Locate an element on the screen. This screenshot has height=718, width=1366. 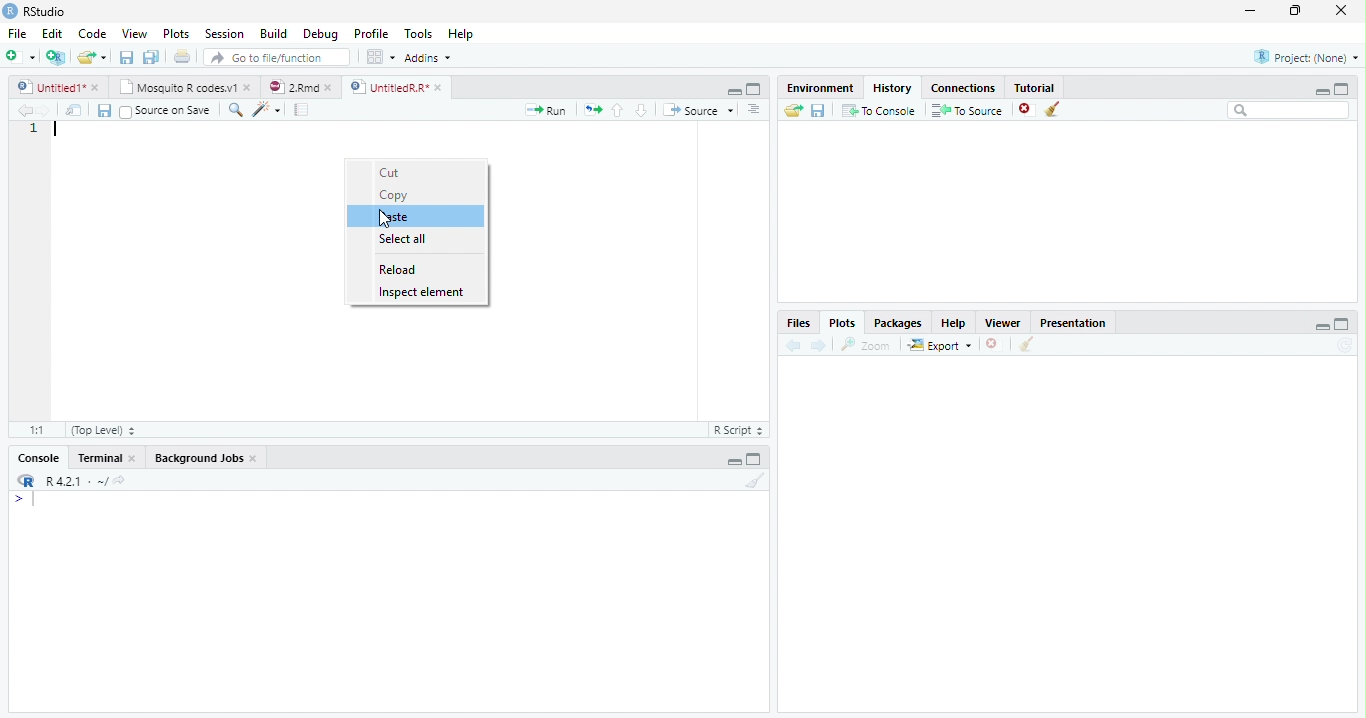
Plots is located at coordinates (175, 32).